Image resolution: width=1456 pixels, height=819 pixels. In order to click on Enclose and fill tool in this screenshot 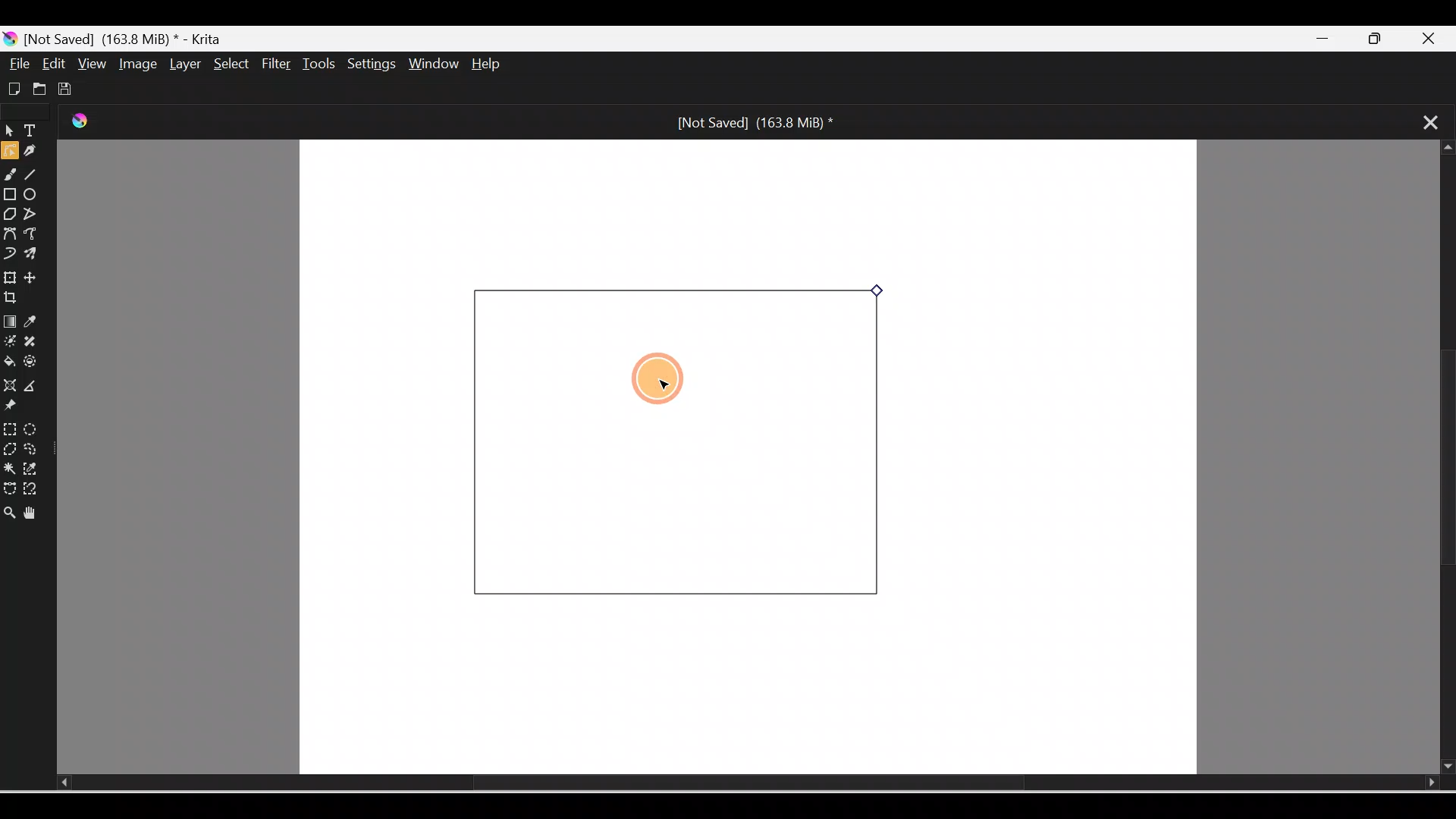, I will do `click(36, 365)`.